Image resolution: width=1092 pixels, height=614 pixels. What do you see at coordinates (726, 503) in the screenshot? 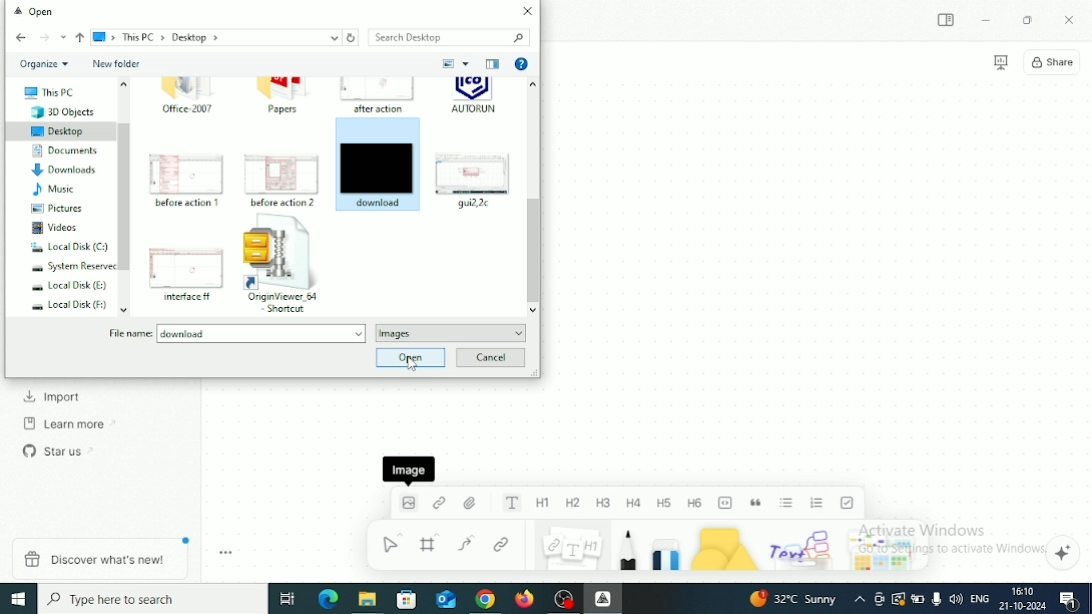
I see `Code block` at bounding box center [726, 503].